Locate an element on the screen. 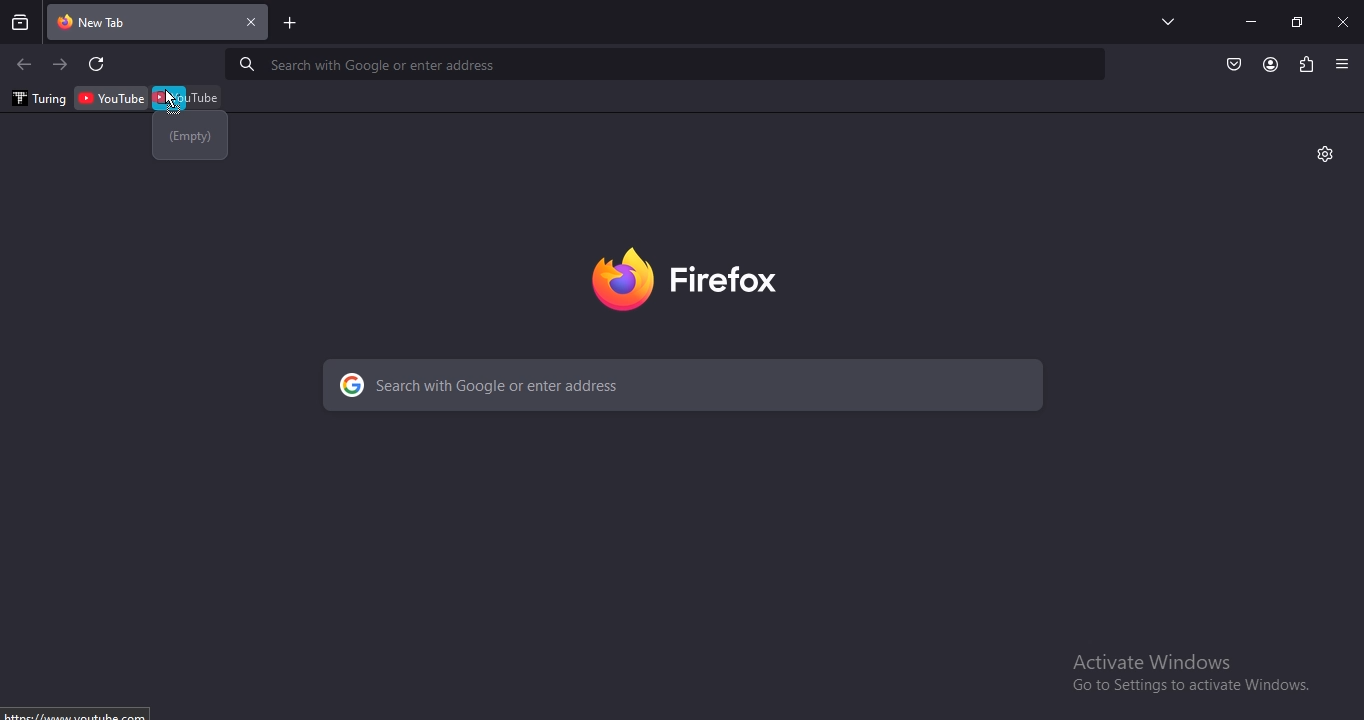 The image size is (1364, 720). cursor is located at coordinates (170, 99).